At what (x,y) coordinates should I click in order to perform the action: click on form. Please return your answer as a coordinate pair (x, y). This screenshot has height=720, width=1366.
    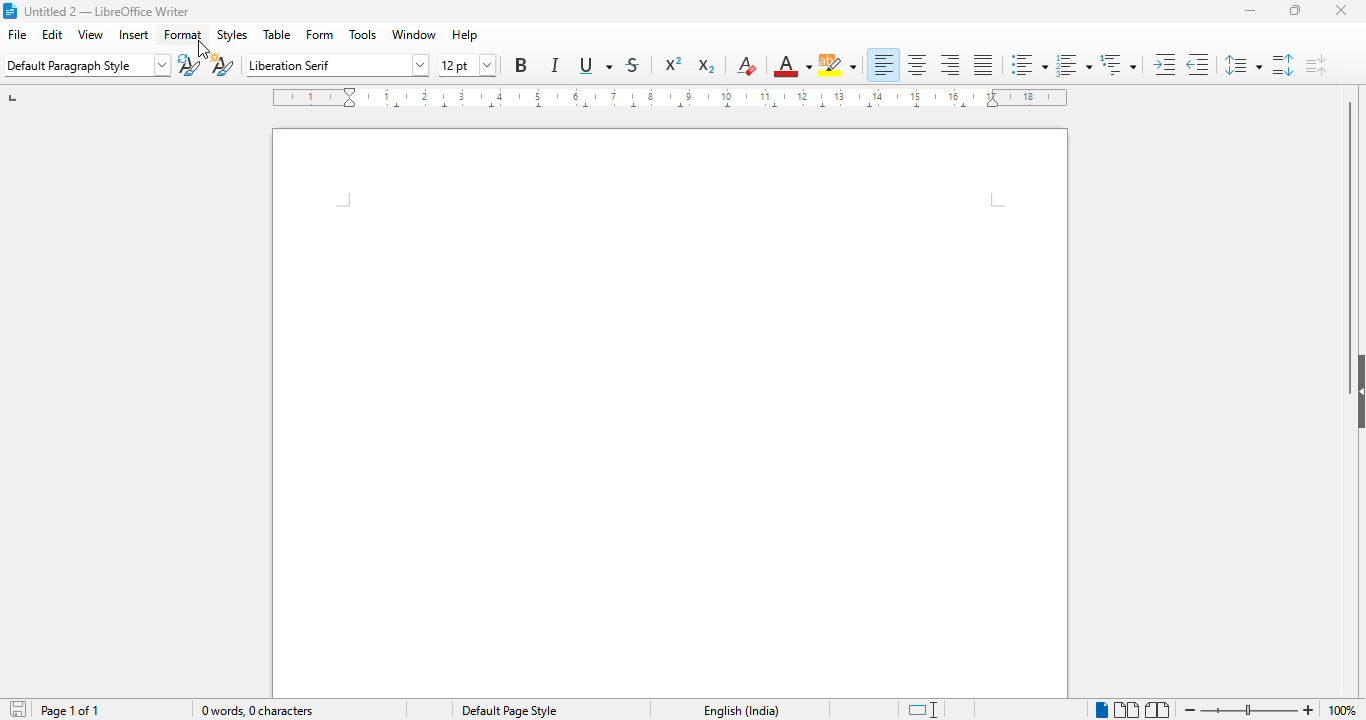
    Looking at the image, I should click on (321, 35).